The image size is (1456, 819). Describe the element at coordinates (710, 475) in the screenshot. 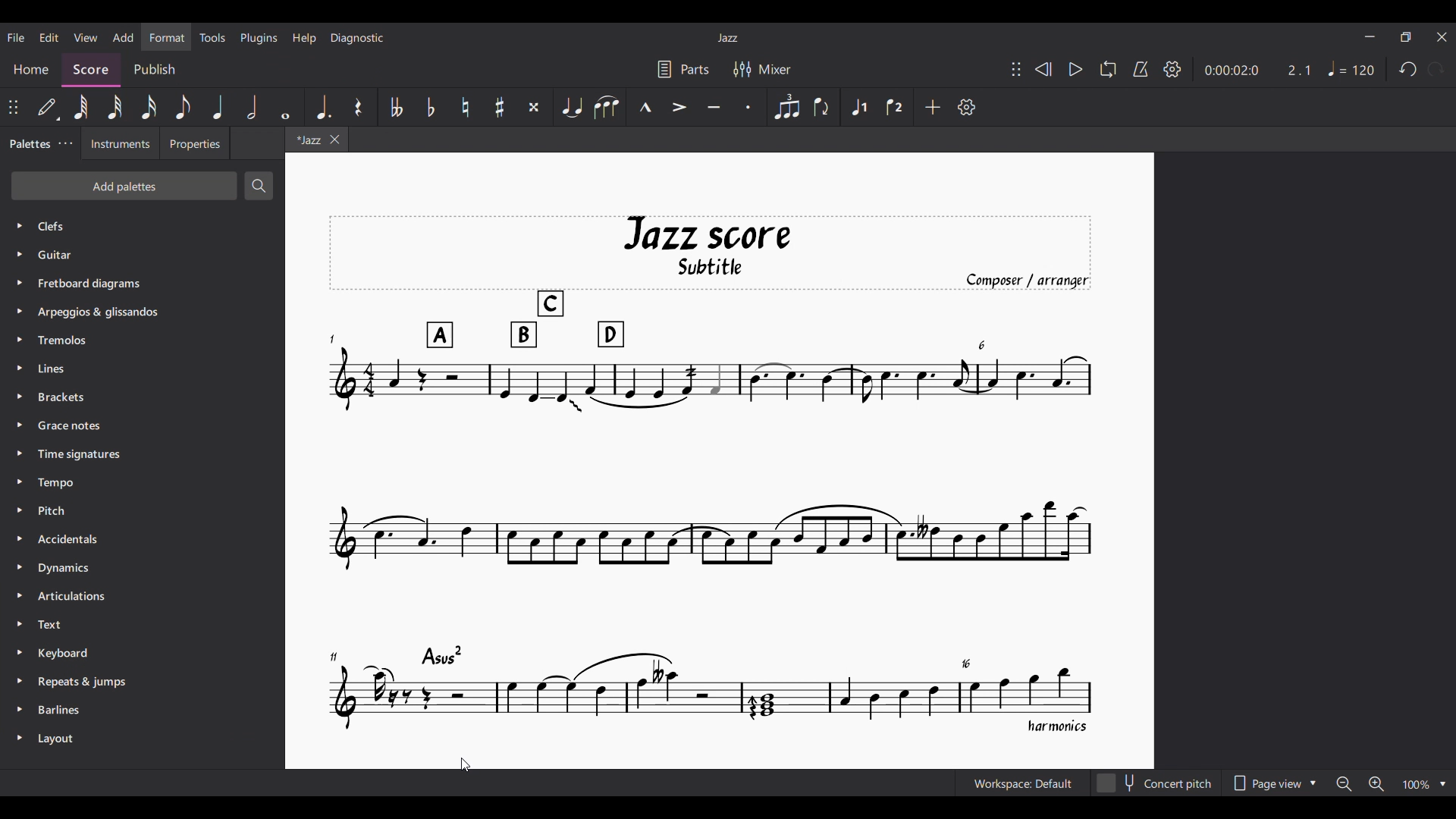

I see `Measure numbers added to score` at that location.